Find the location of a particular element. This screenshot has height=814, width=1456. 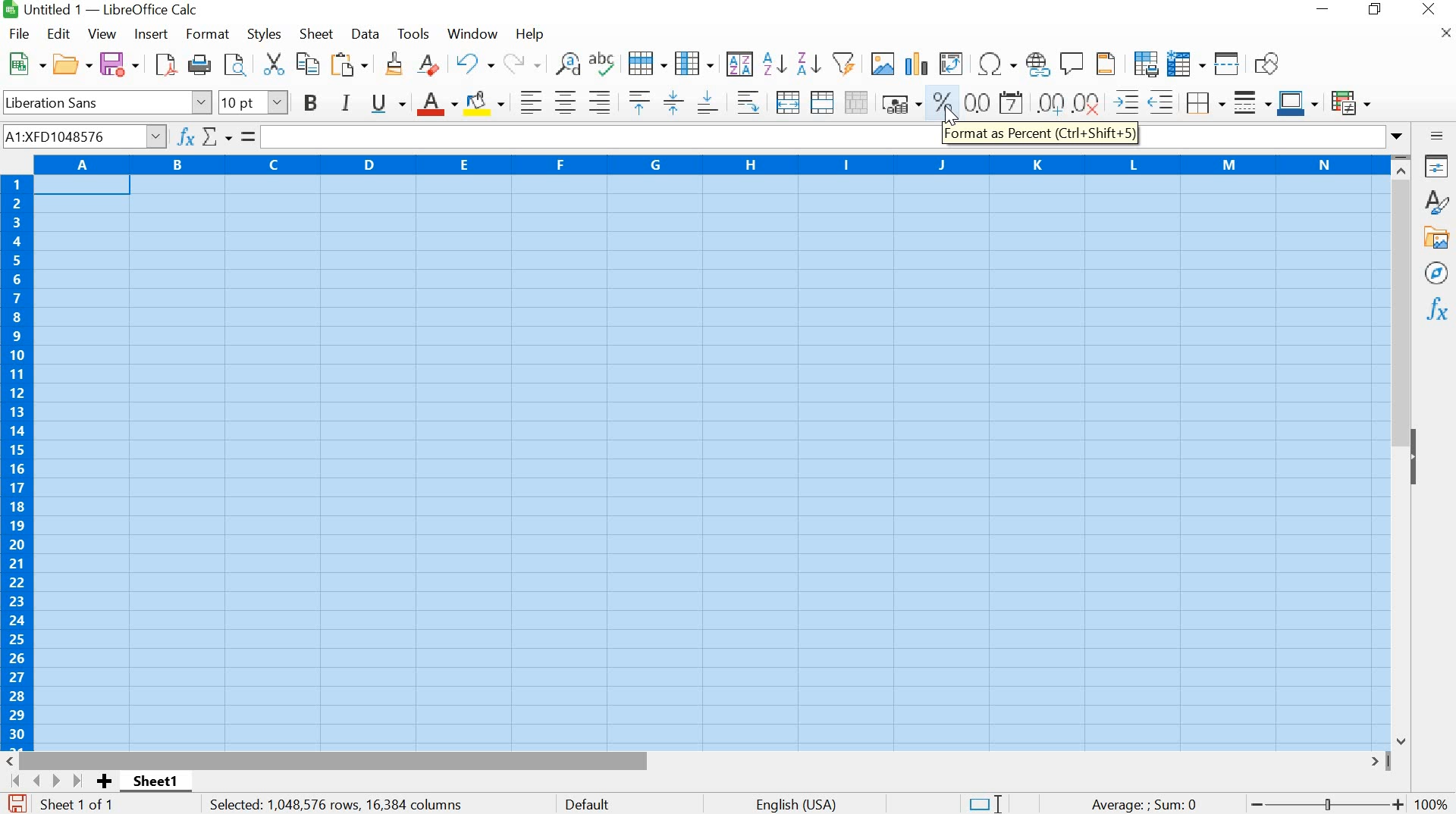

Function Wizard is located at coordinates (186, 136).